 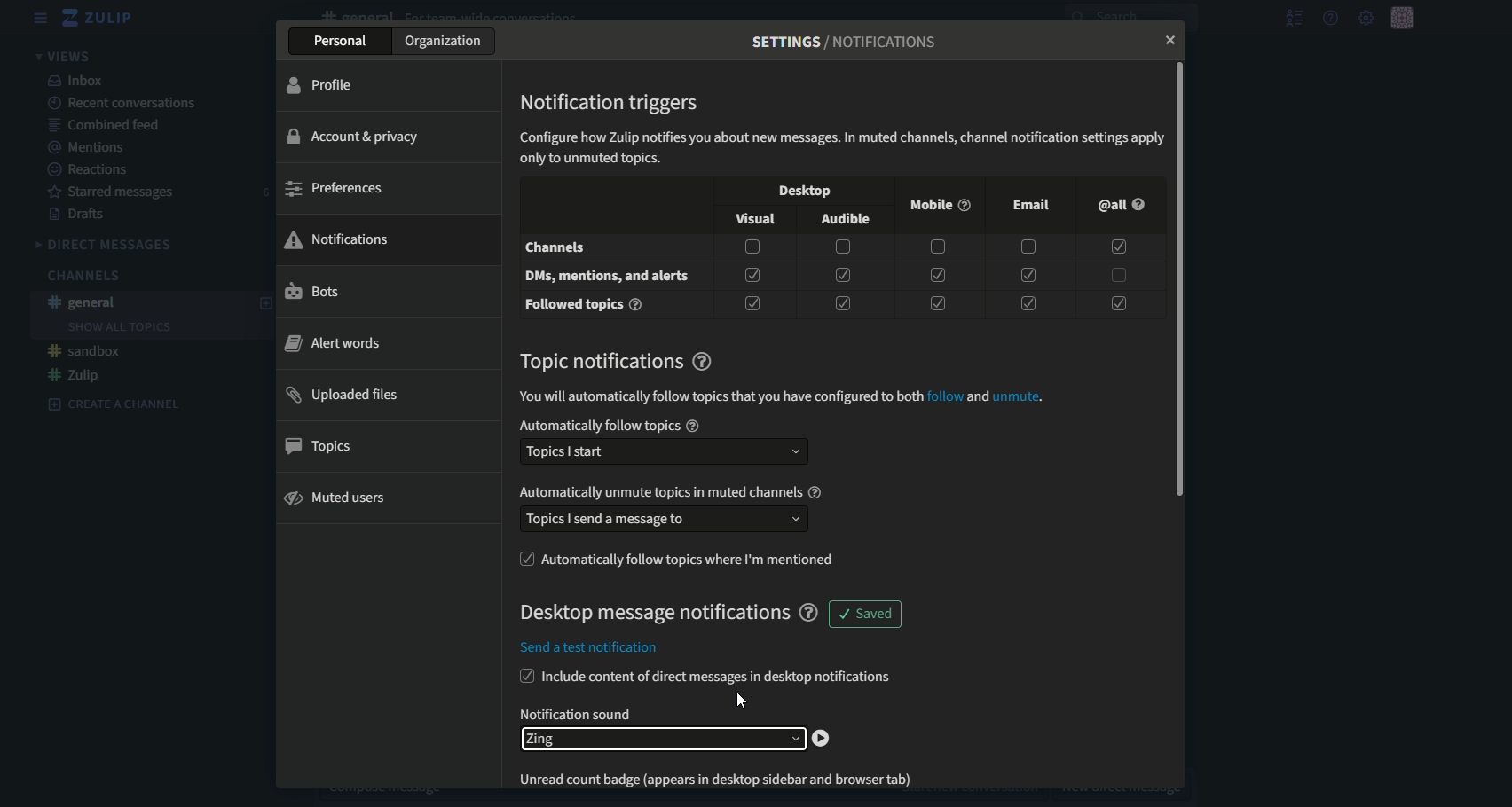 I want to click on checkbox, so click(x=524, y=559).